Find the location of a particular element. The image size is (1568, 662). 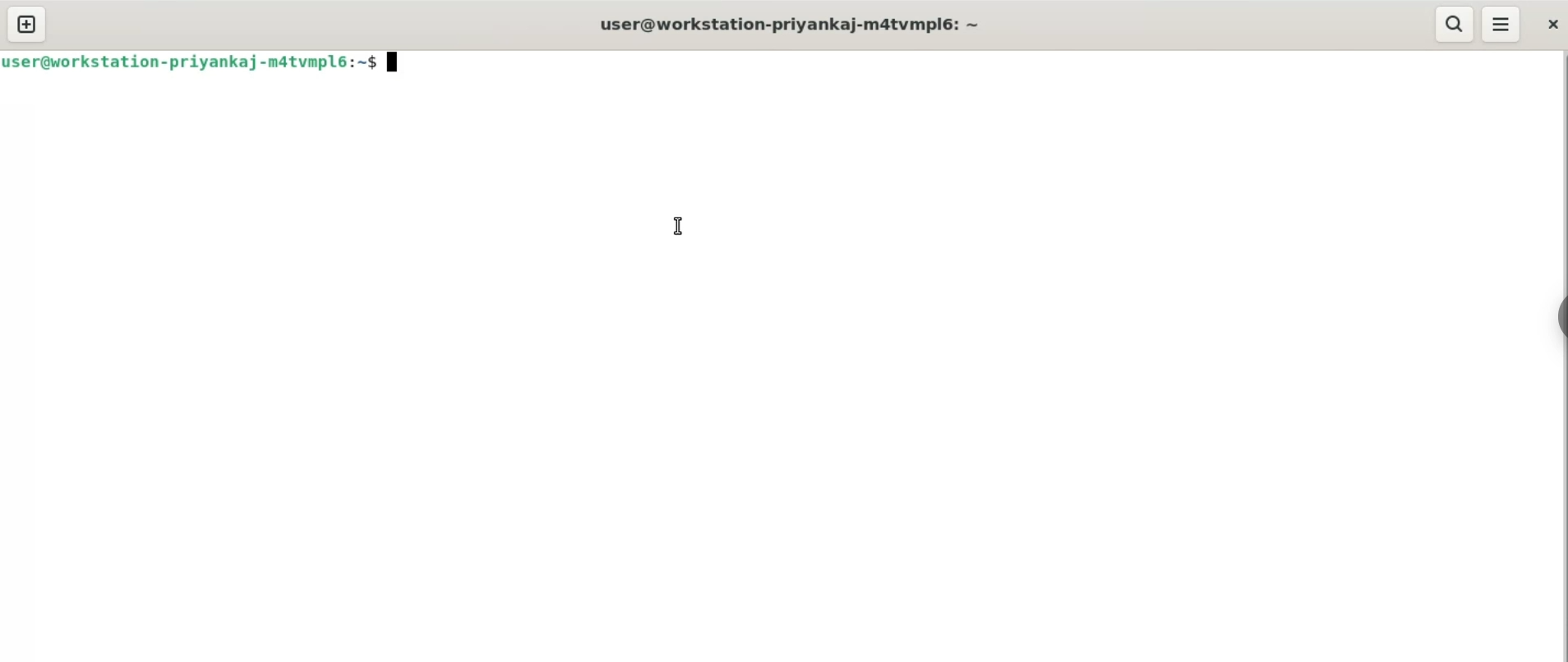

close is located at coordinates (1552, 25).